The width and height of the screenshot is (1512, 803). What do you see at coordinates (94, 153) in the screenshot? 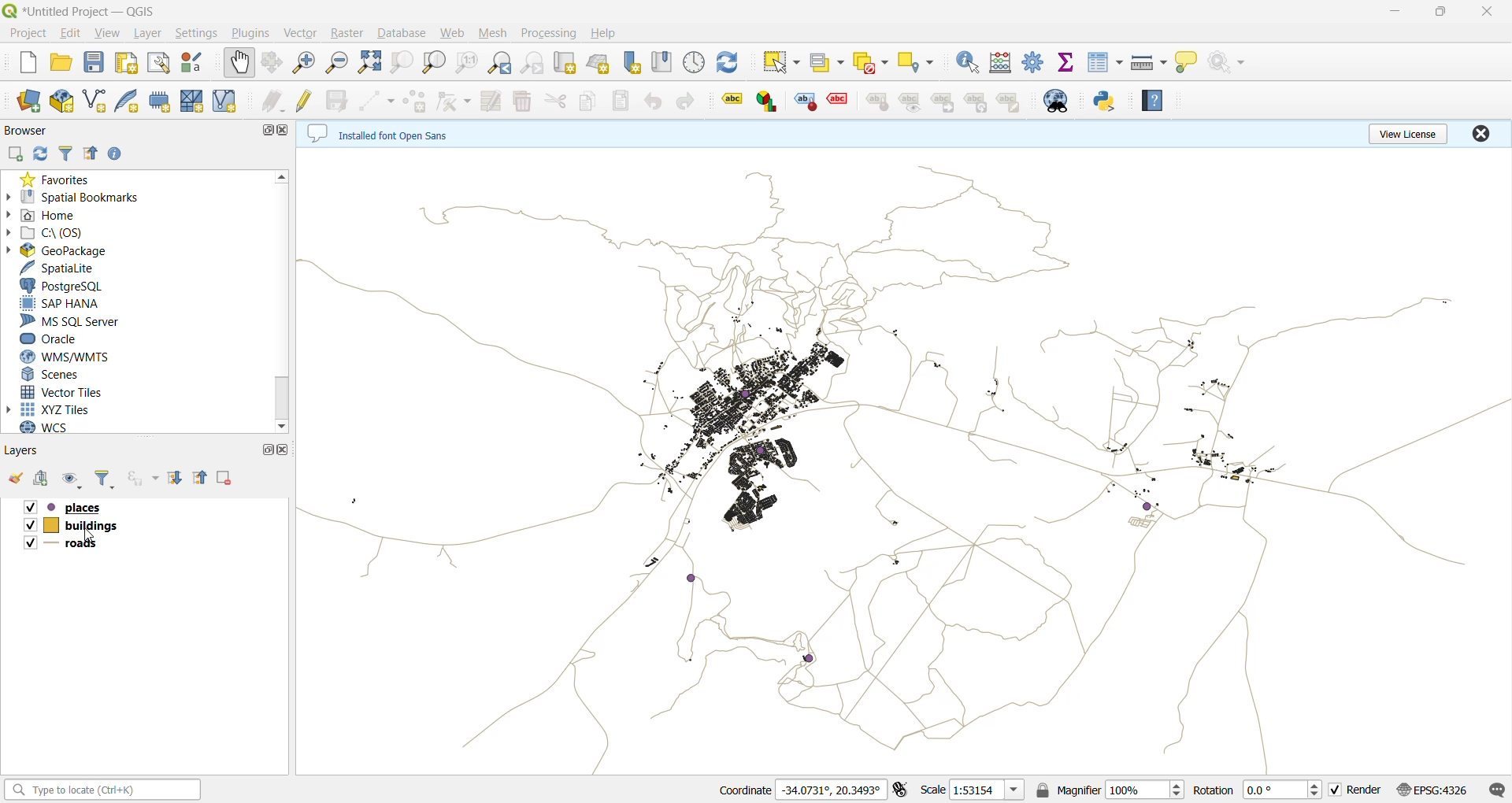
I see `collapse all` at bounding box center [94, 153].